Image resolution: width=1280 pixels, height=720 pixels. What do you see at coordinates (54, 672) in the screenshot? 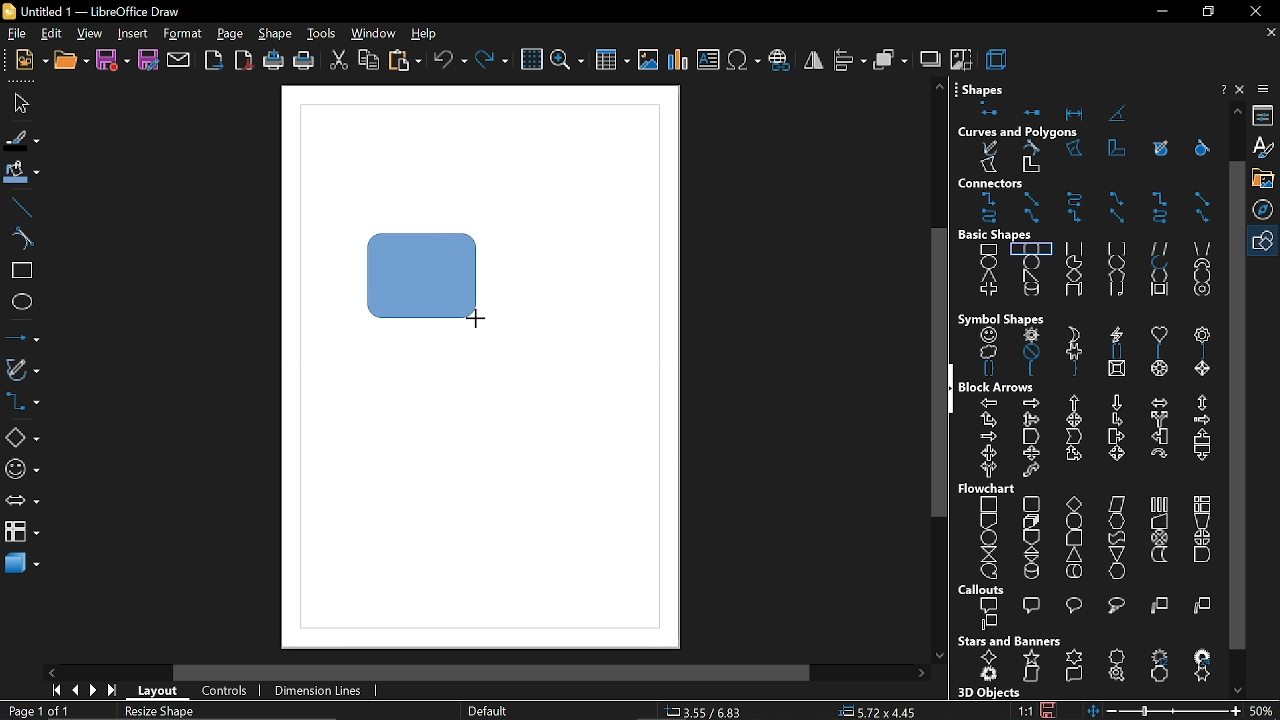
I see `move left` at bounding box center [54, 672].